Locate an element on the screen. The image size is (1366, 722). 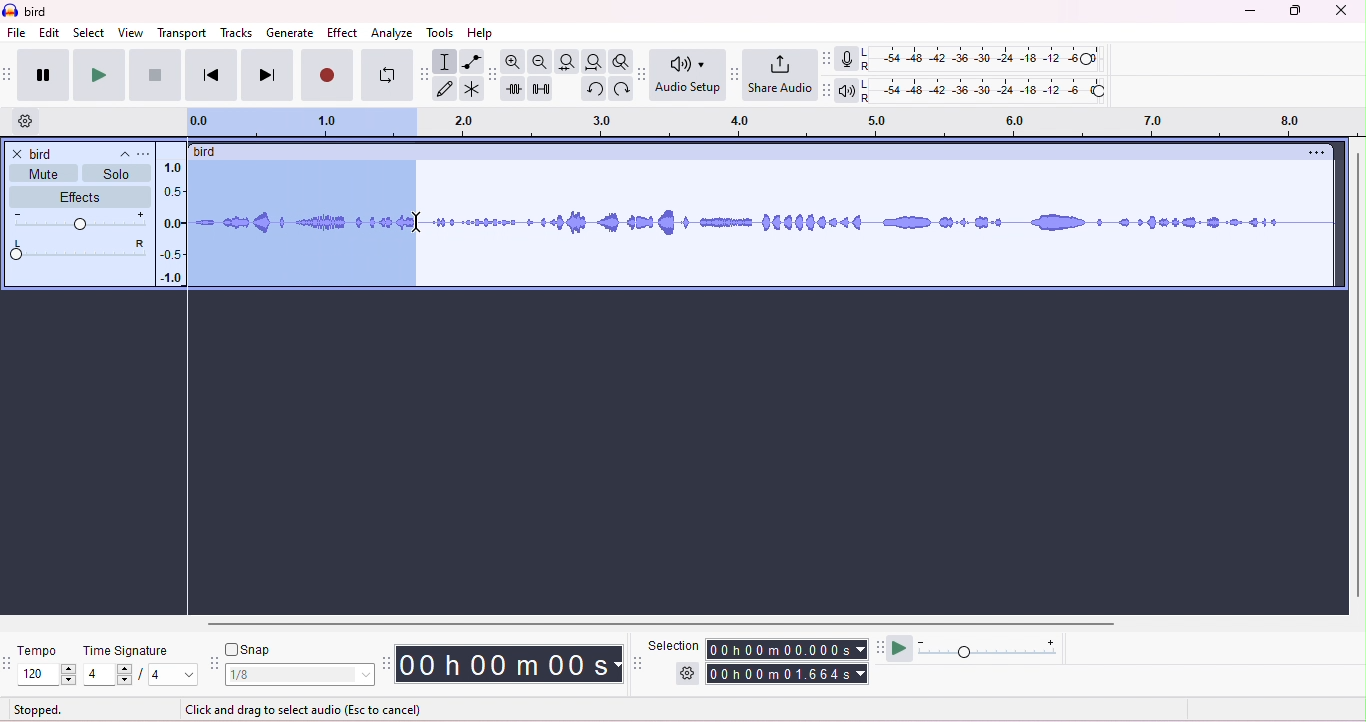
close is located at coordinates (17, 154).